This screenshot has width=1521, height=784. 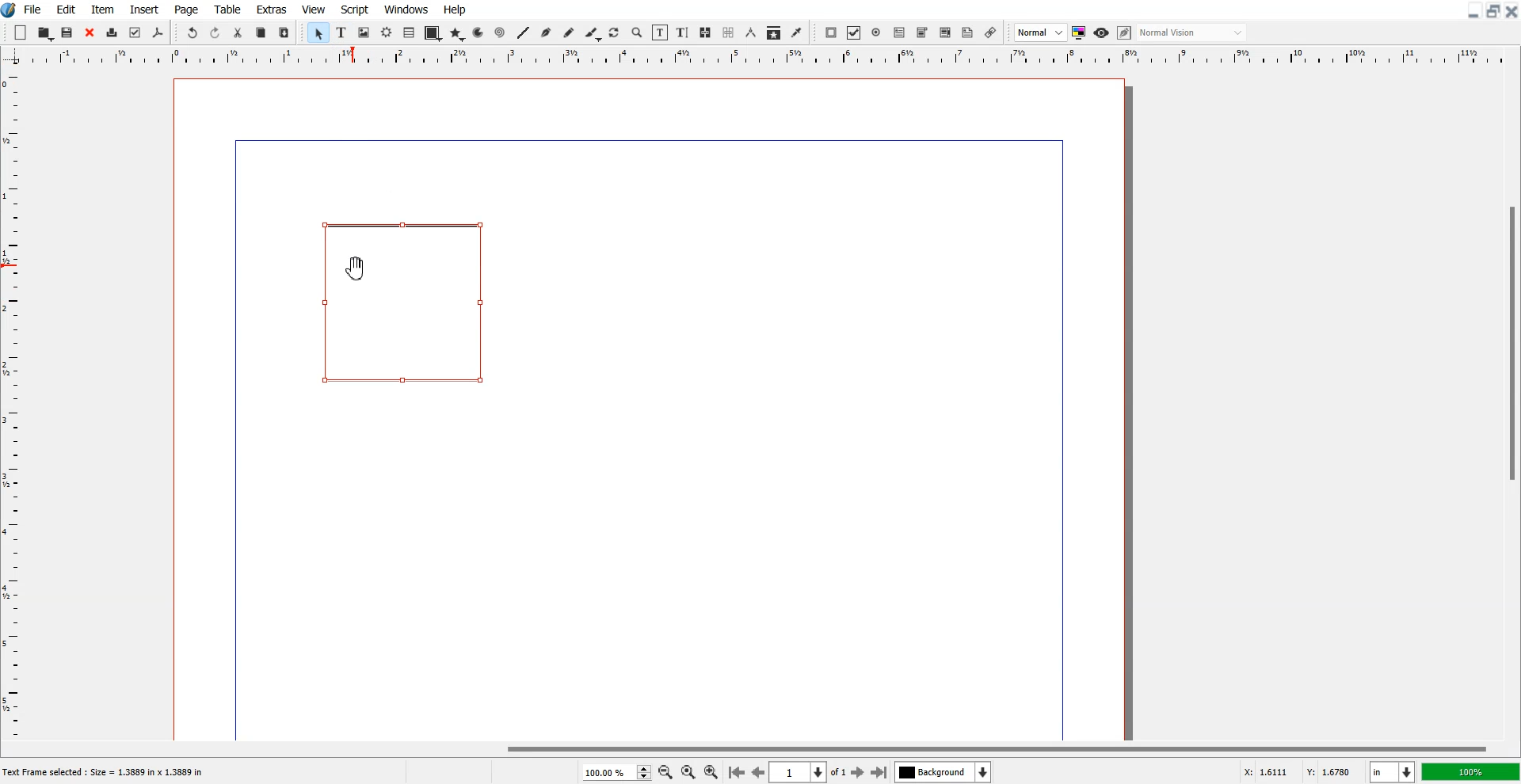 What do you see at coordinates (1511, 10) in the screenshot?
I see `Close` at bounding box center [1511, 10].